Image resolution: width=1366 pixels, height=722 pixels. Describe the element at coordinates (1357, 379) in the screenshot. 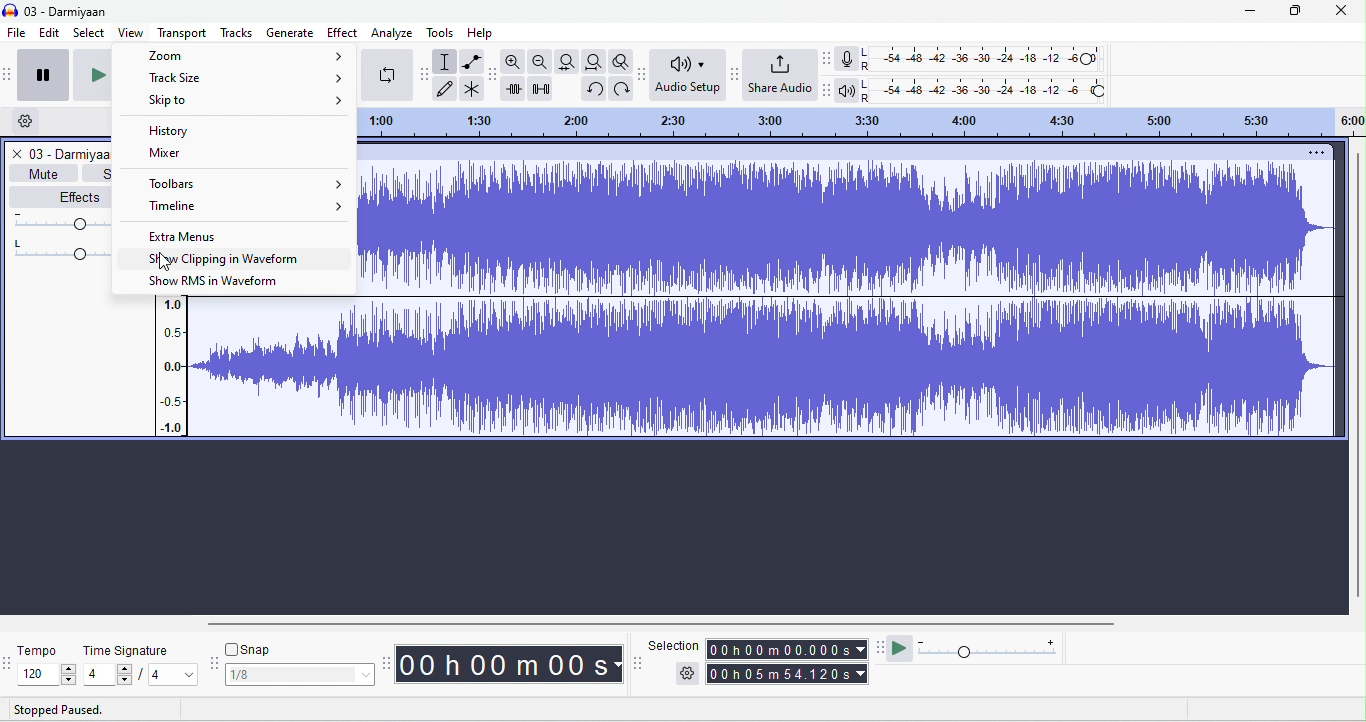

I see `vertical scroll bar` at that location.